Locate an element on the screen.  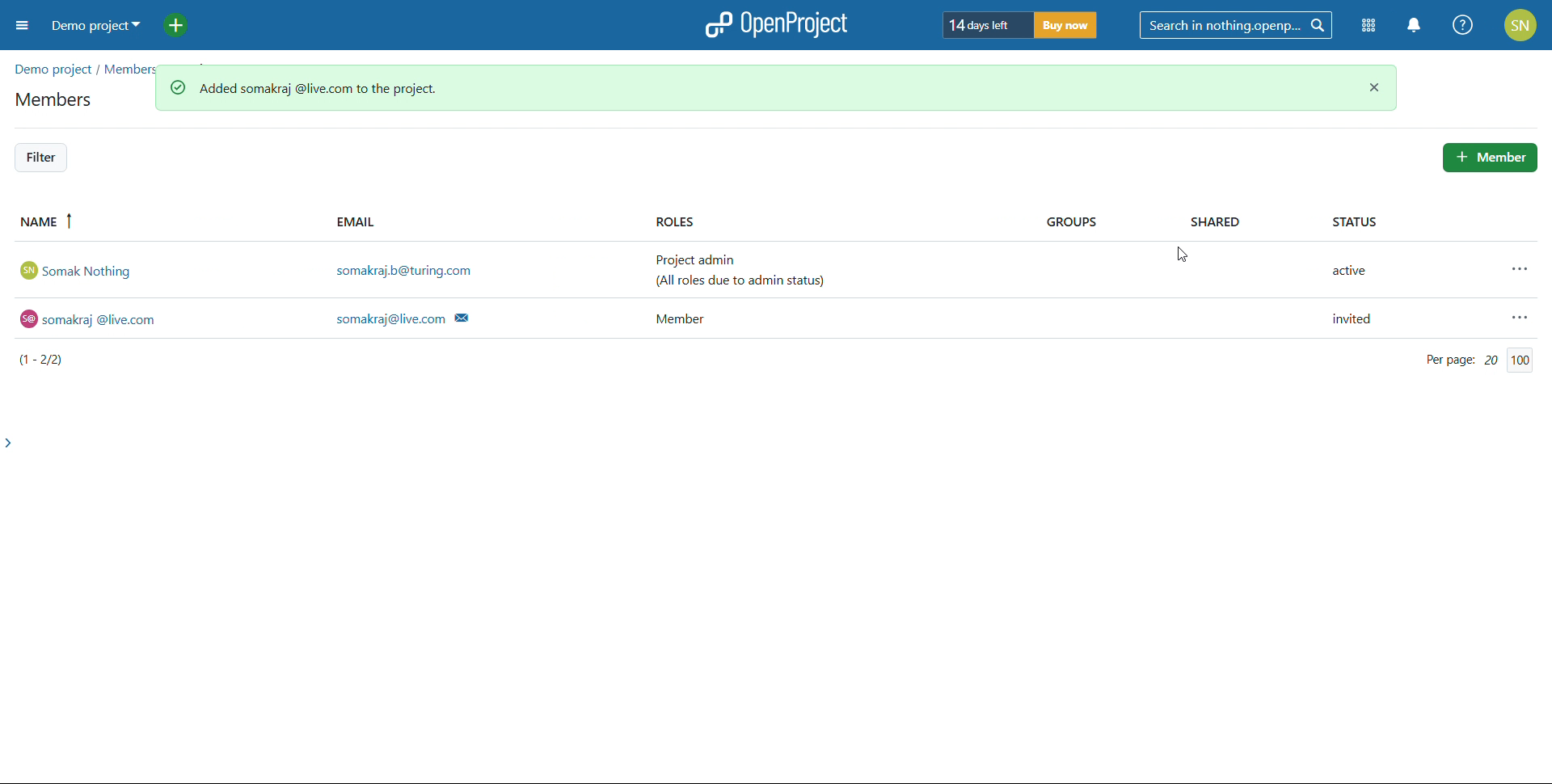
help is located at coordinates (1464, 25).